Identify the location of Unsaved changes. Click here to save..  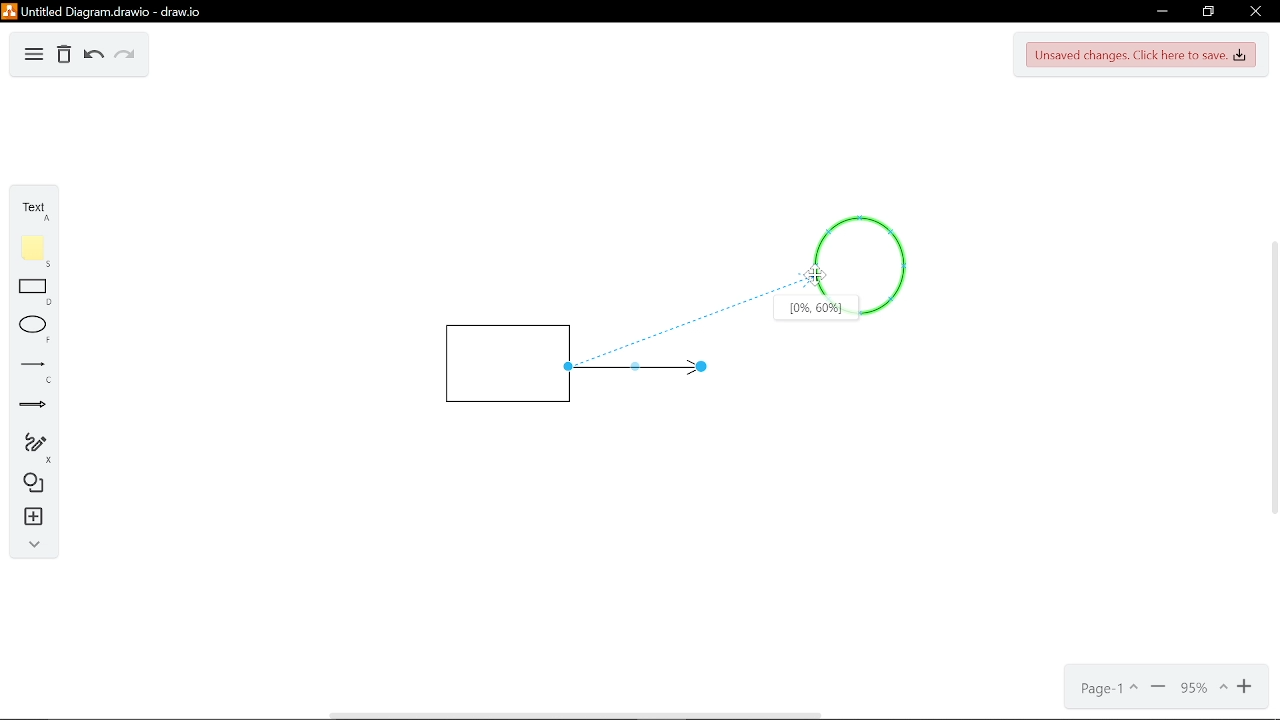
(1140, 56).